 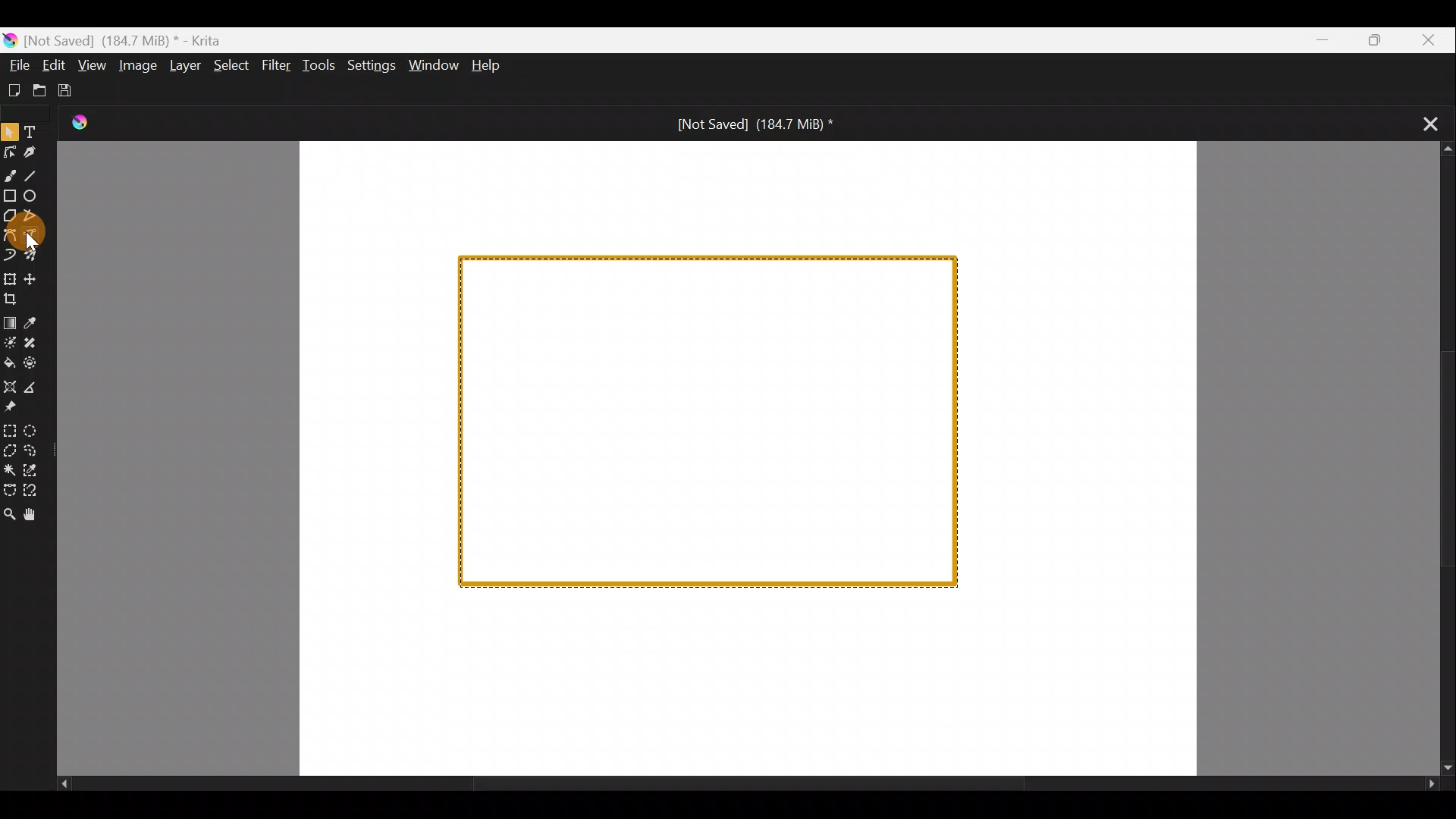 I want to click on Multibrush tool, so click(x=38, y=259).